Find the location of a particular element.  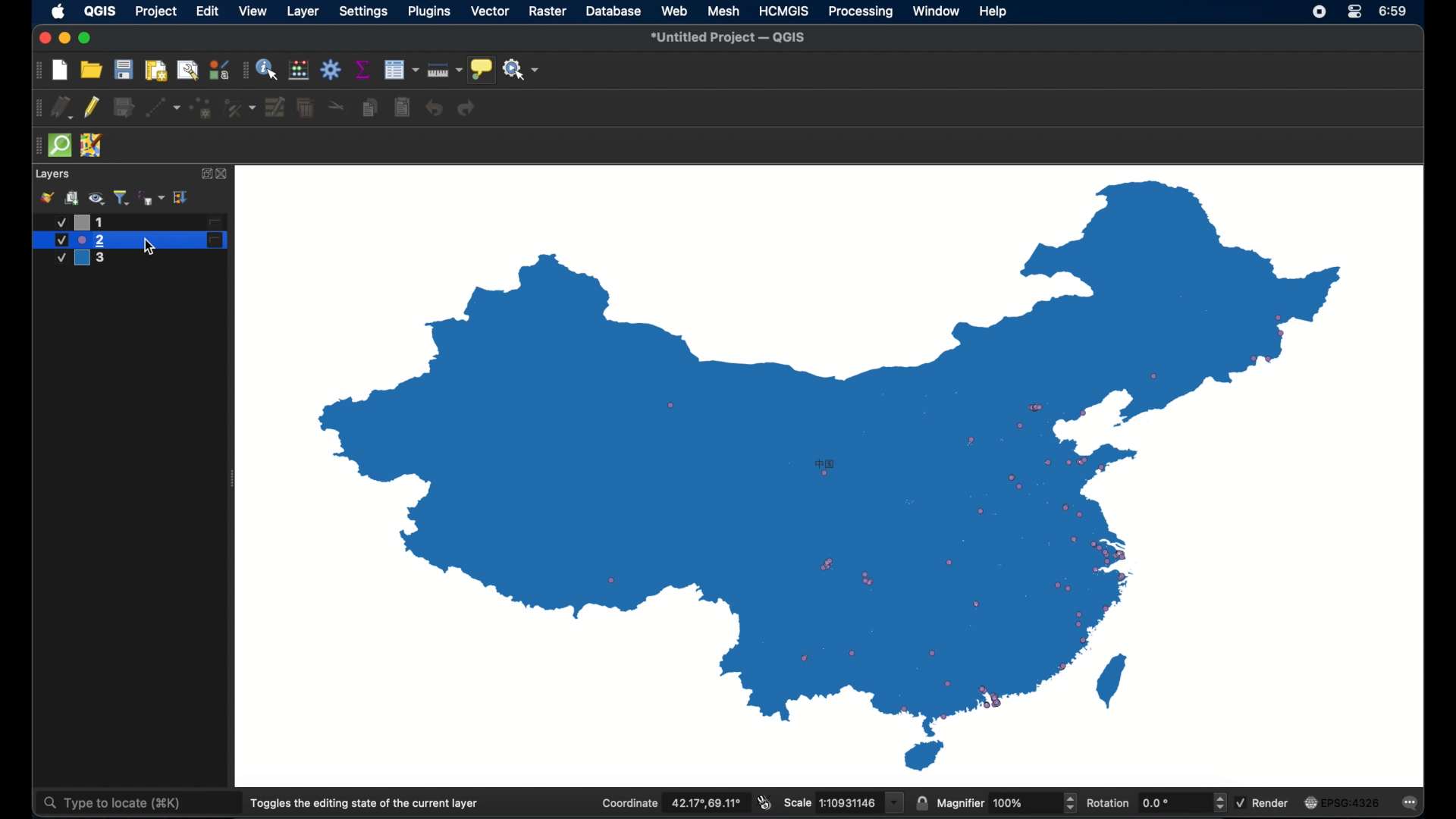

messages is located at coordinates (1411, 804).